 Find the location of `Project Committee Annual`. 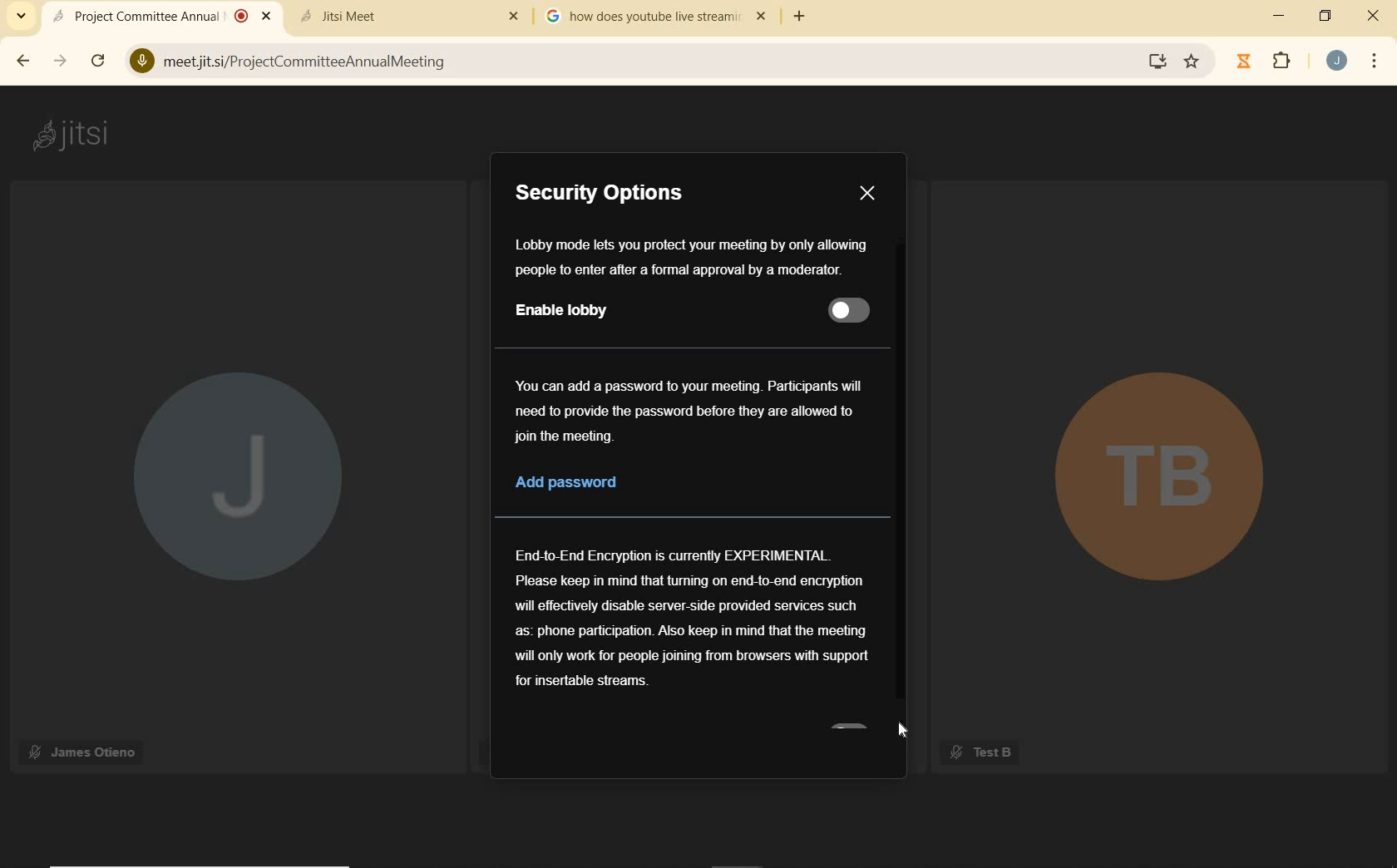

Project Committee Annual is located at coordinates (161, 16).